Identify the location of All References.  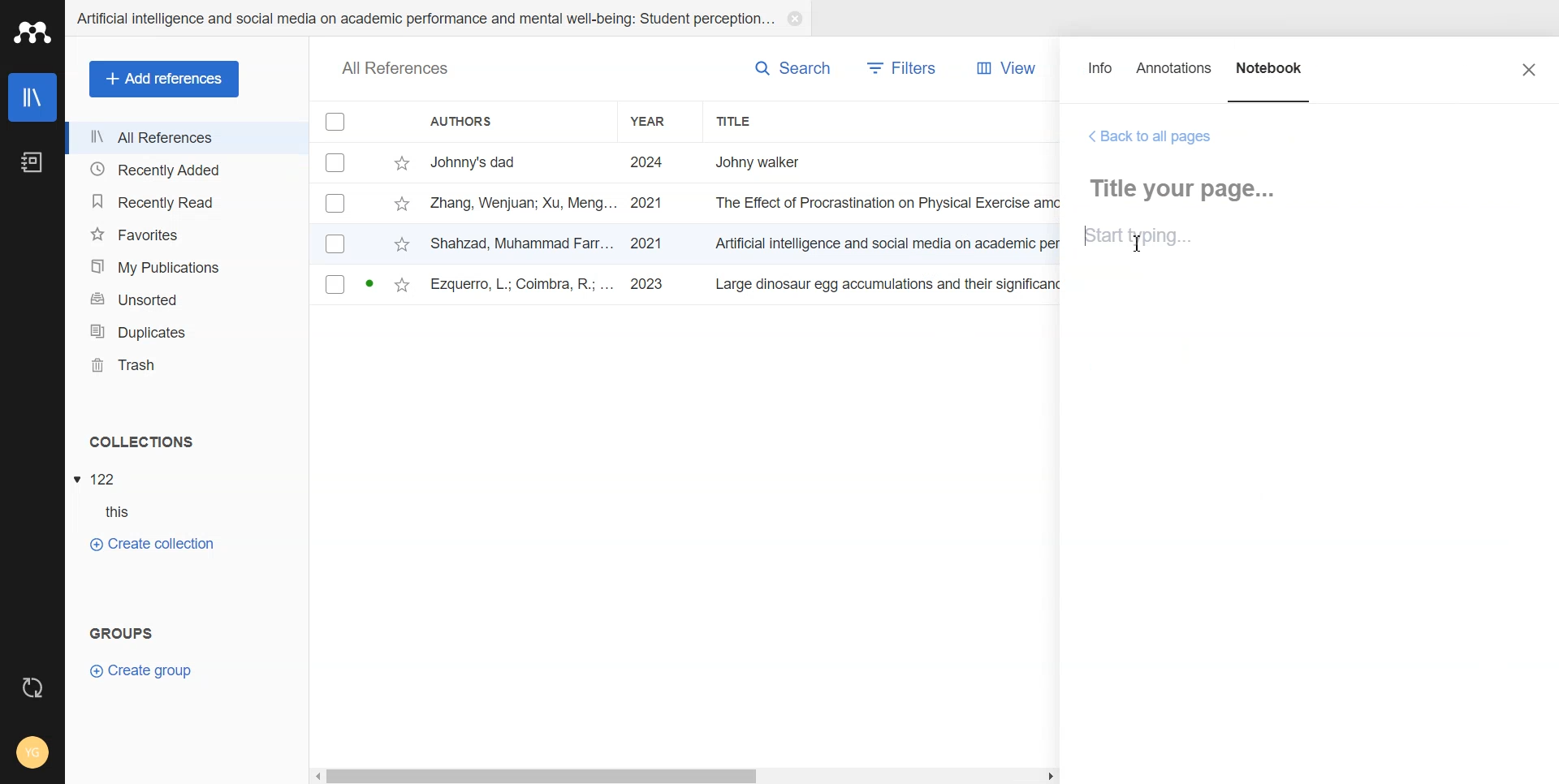
(187, 138).